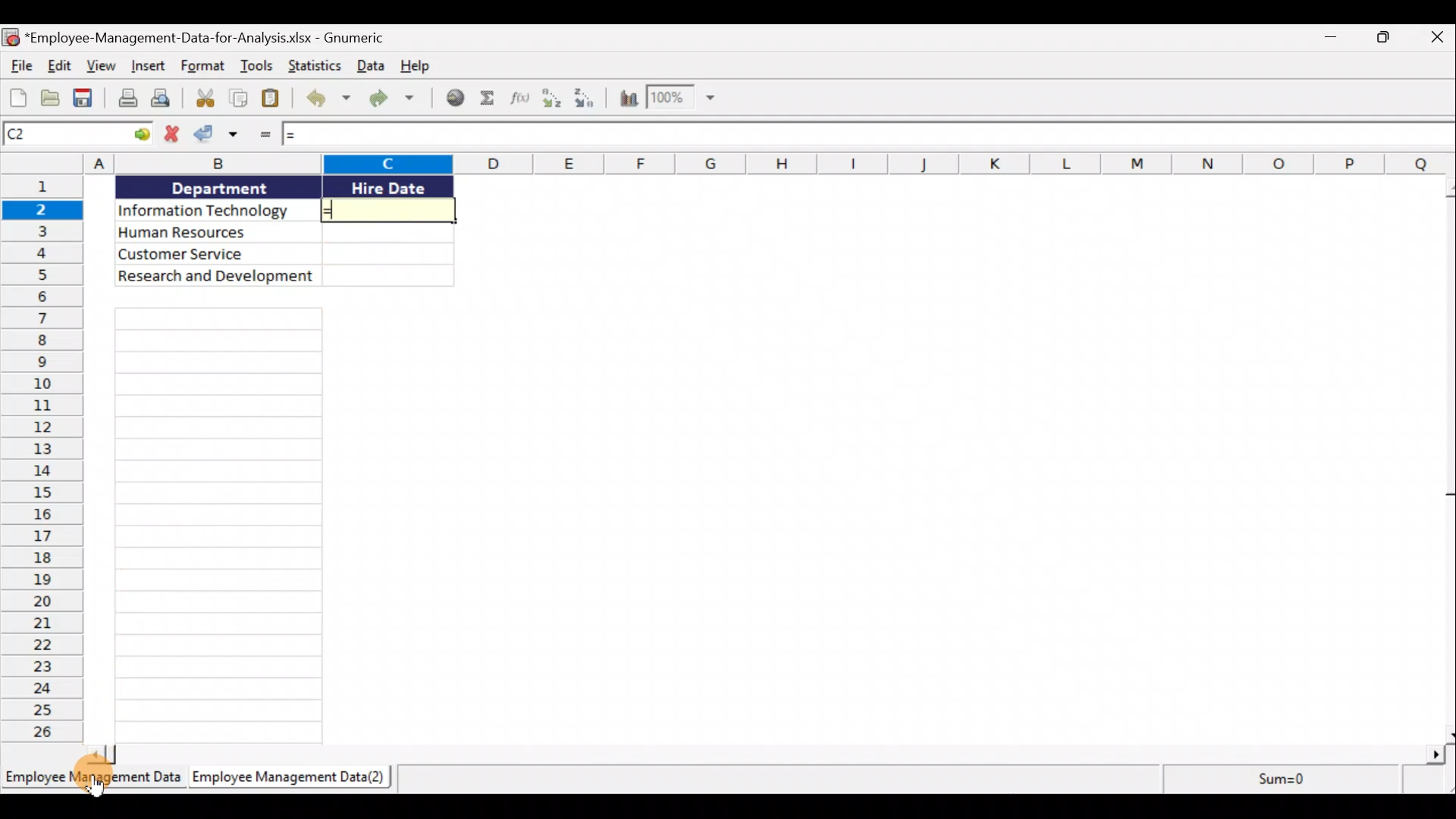 Image resolution: width=1456 pixels, height=819 pixels. What do you see at coordinates (297, 782) in the screenshot?
I see `Sheet 2` at bounding box center [297, 782].